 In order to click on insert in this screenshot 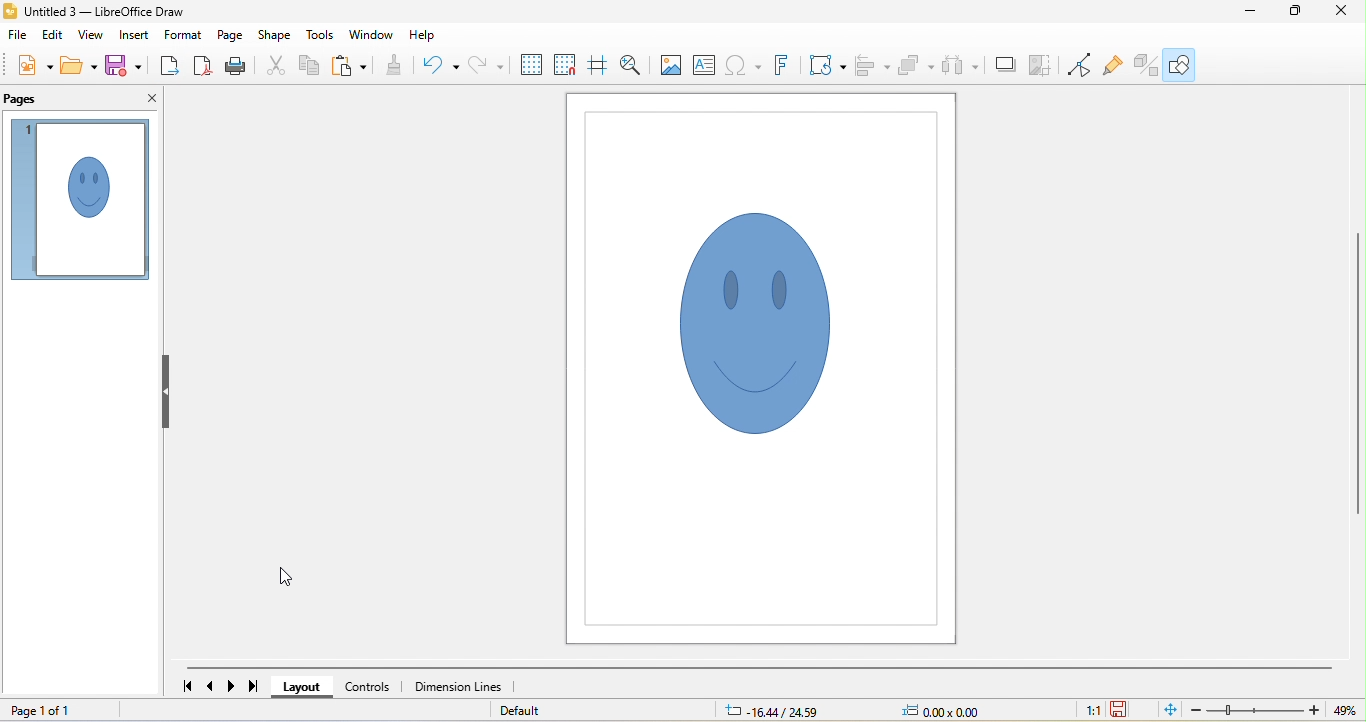, I will do `click(130, 36)`.